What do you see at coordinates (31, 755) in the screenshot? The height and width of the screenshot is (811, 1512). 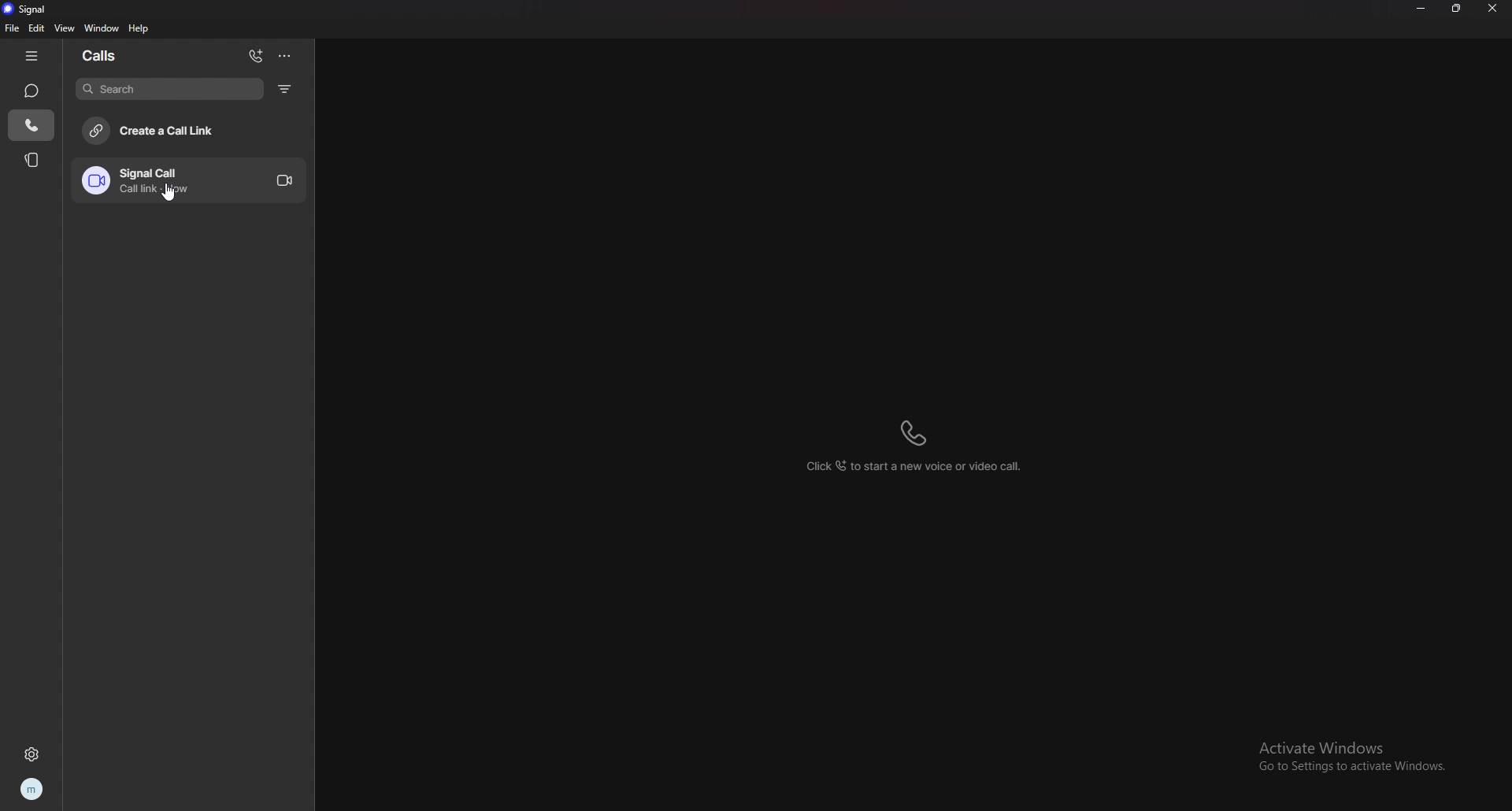 I see `settings` at bounding box center [31, 755].